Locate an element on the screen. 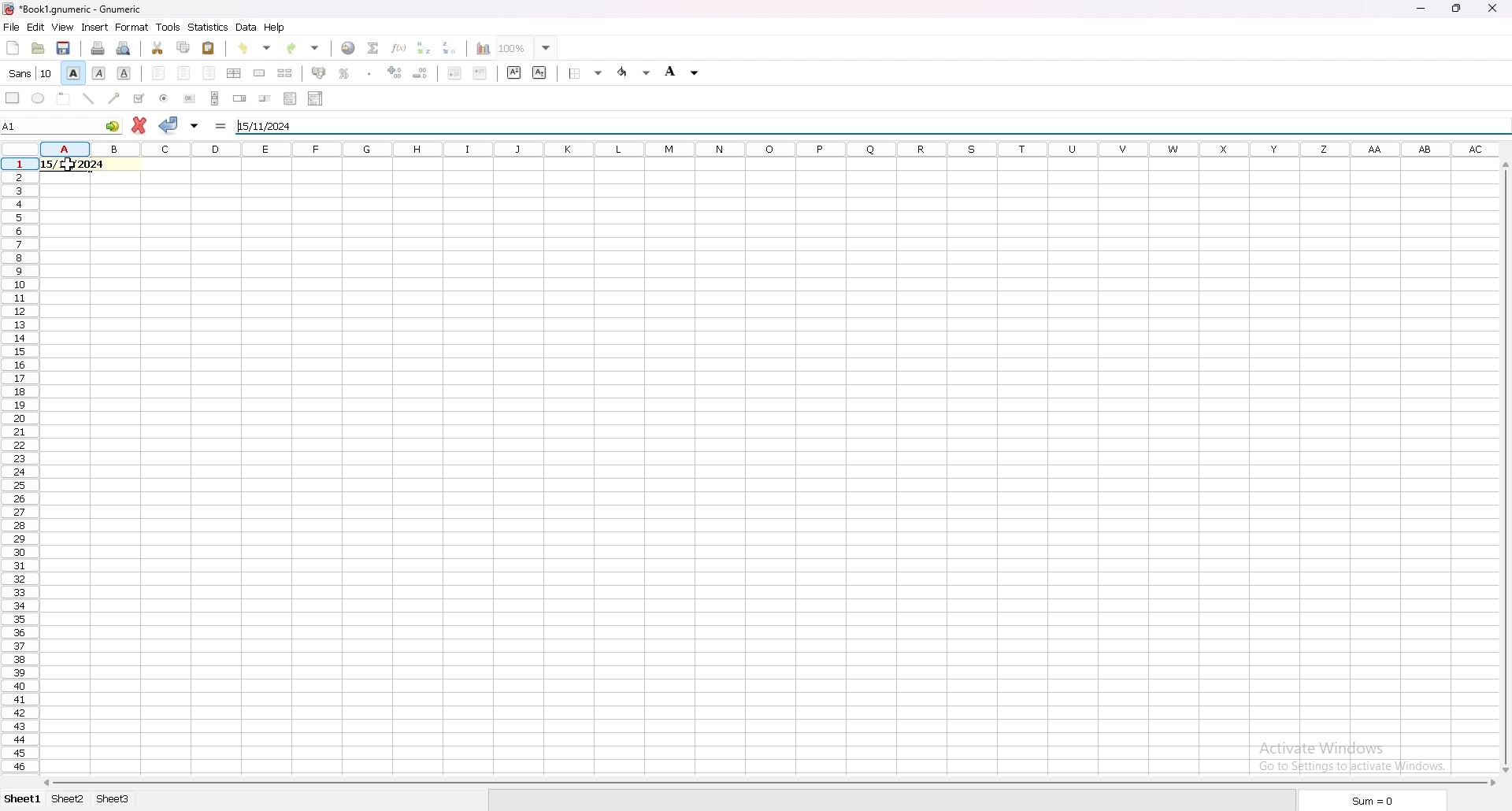 The image size is (1512, 811). border is located at coordinates (586, 74).